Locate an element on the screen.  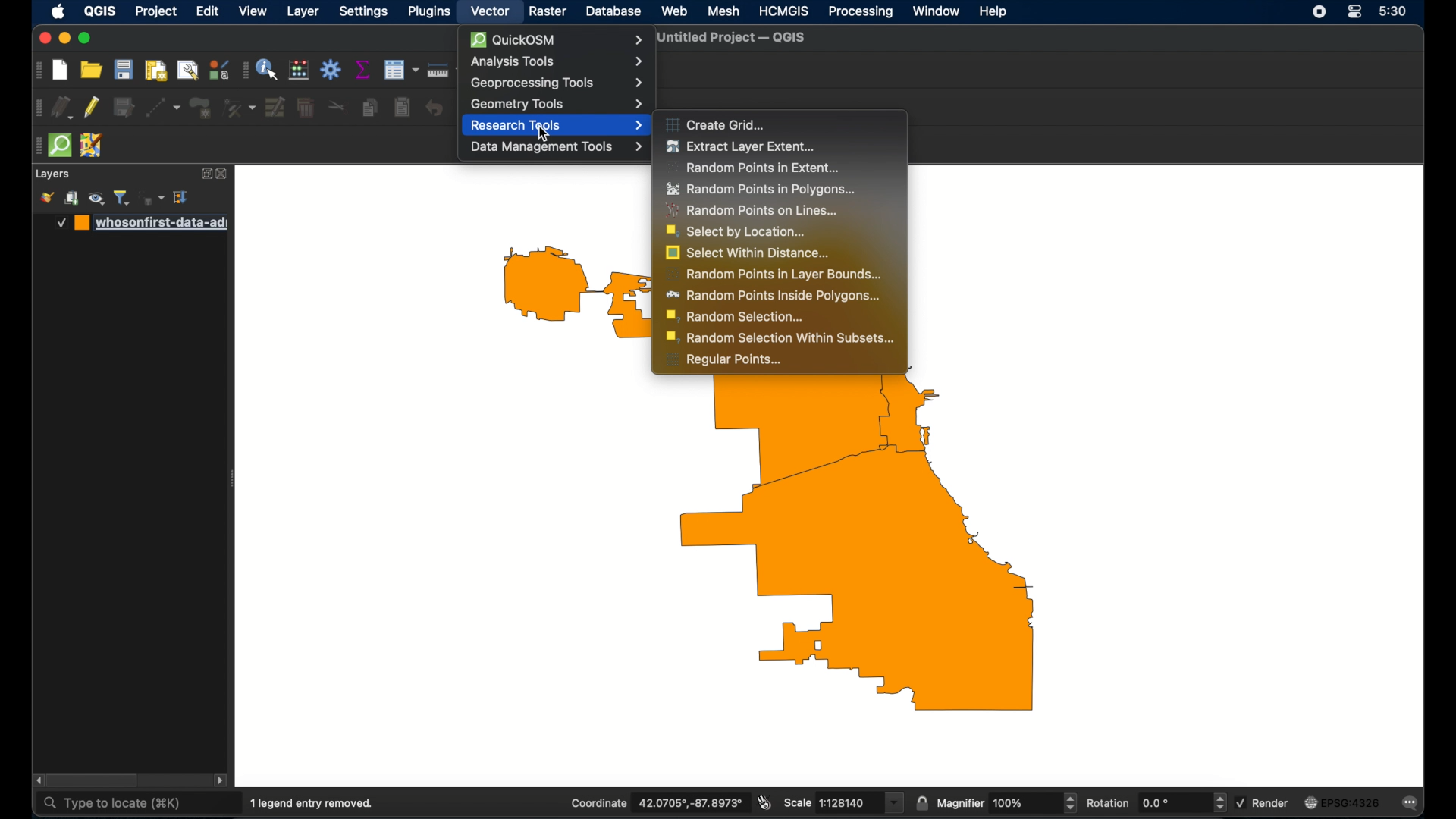
expand is located at coordinates (205, 174).